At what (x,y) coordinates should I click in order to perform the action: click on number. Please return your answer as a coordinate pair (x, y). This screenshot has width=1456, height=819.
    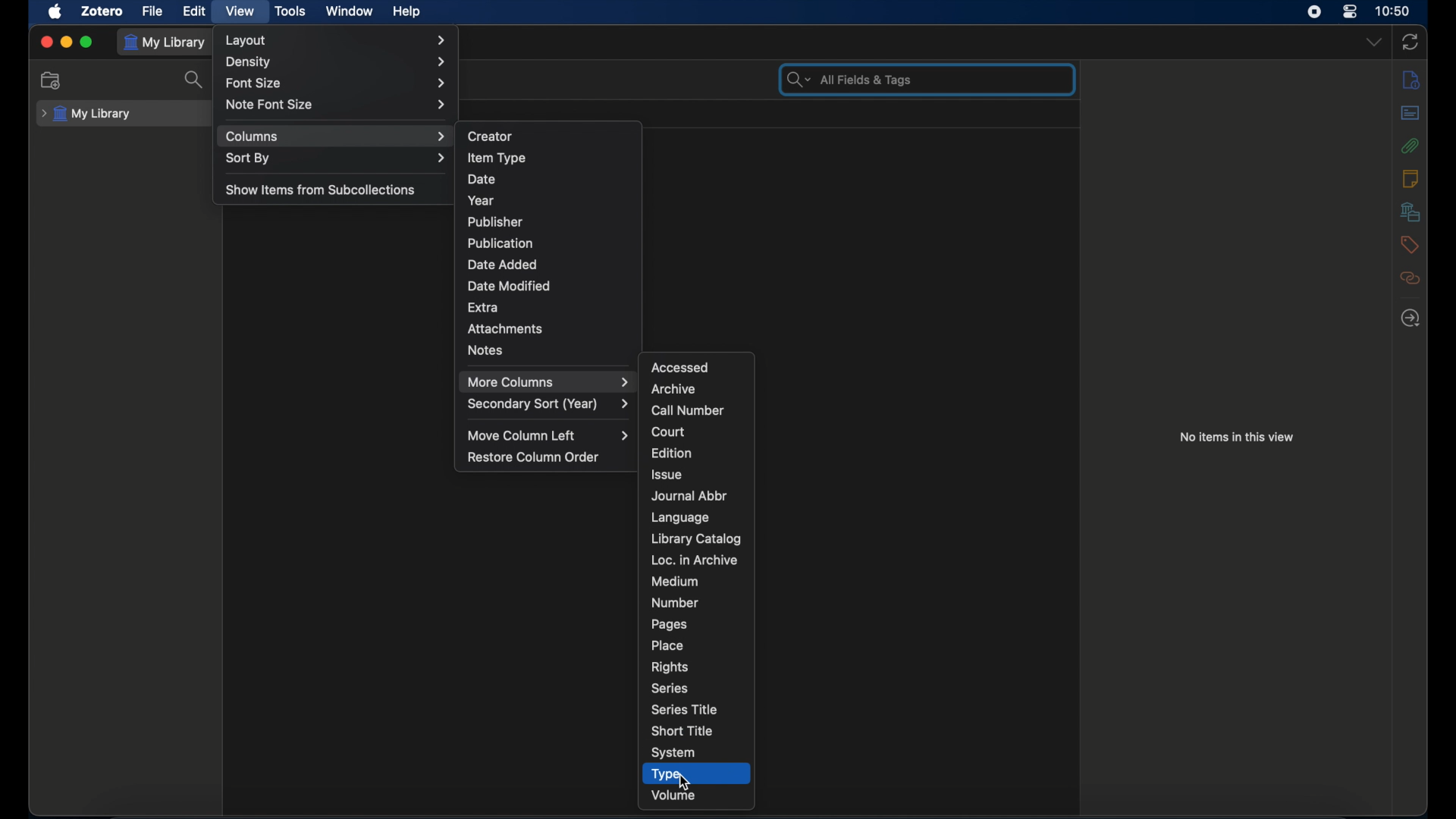
    Looking at the image, I should click on (675, 602).